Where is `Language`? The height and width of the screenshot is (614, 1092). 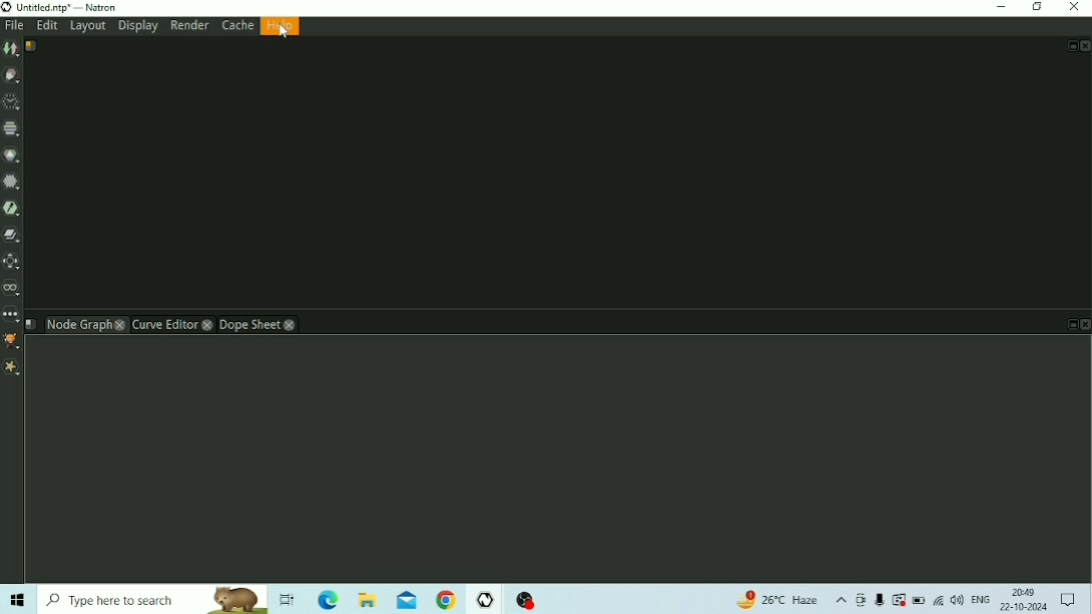 Language is located at coordinates (981, 597).